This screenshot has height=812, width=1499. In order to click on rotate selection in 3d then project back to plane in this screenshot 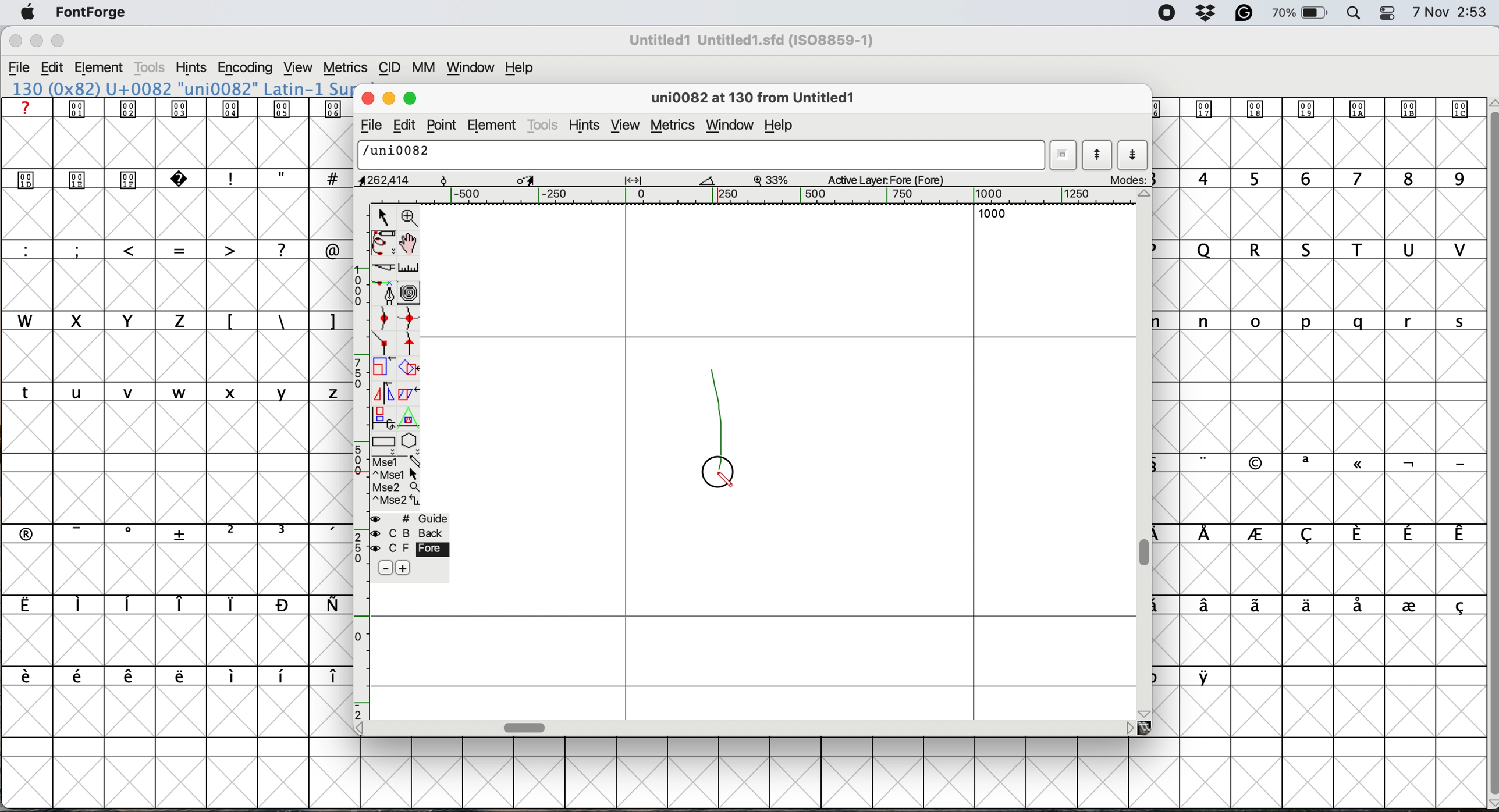, I will do `click(384, 418)`.